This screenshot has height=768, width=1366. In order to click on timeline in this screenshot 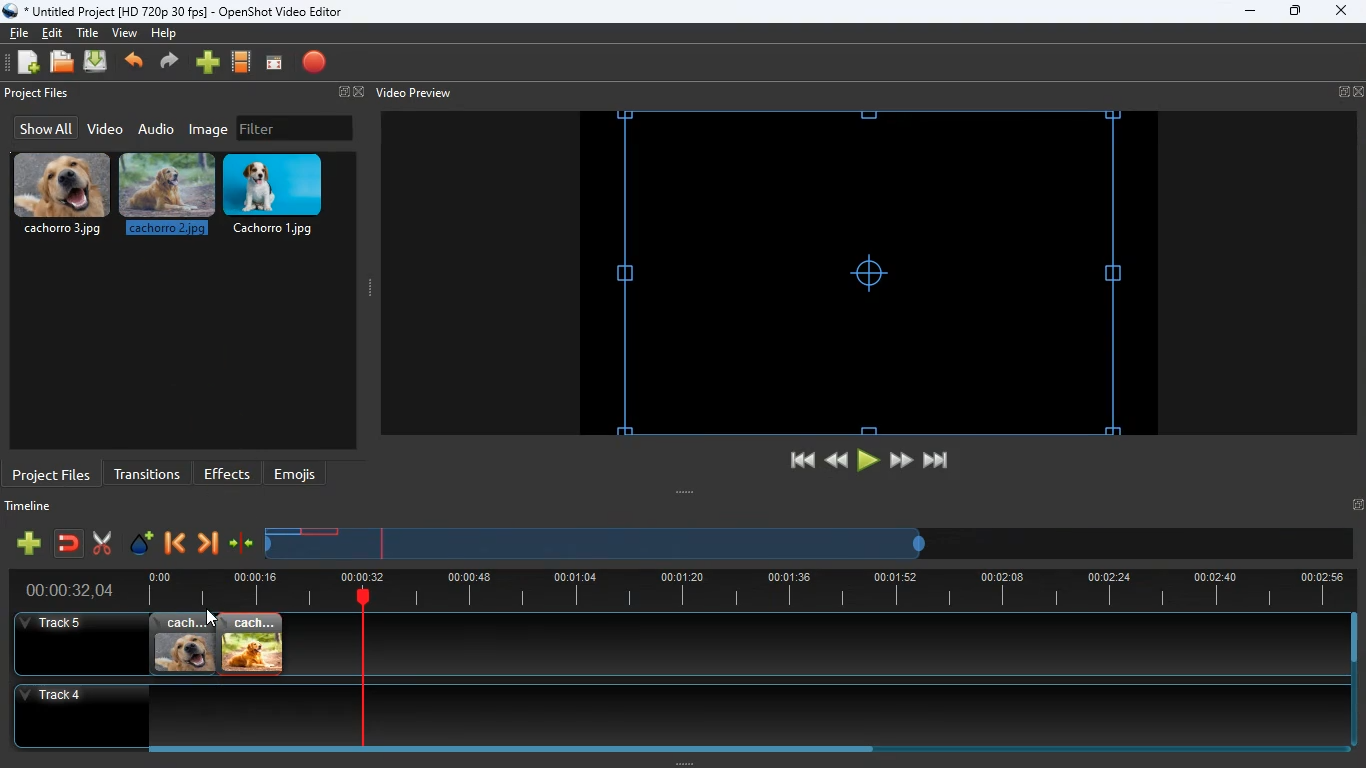, I will do `click(740, 590)`.